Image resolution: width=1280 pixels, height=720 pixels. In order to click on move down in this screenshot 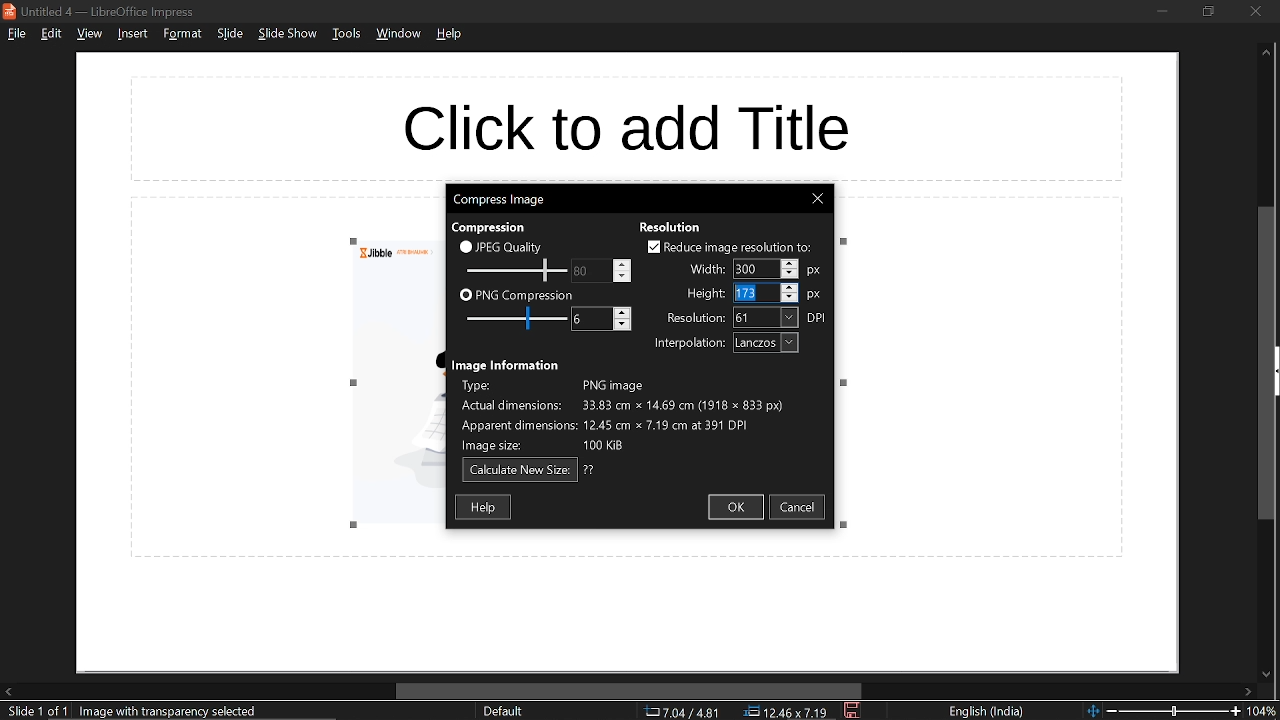, I will do `click(1264, 672)`.